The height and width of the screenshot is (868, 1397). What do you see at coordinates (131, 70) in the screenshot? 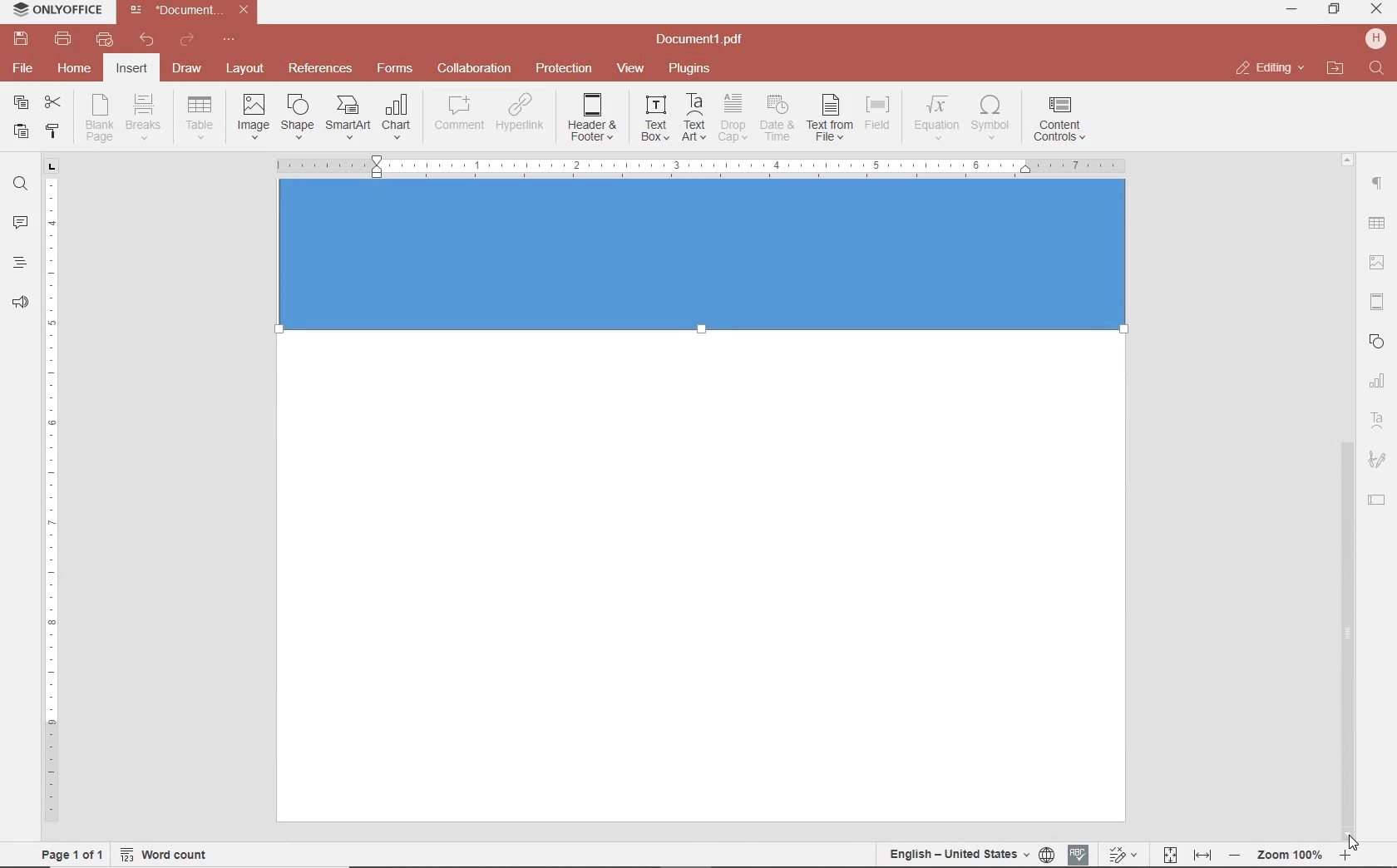
I see `insert` at bounding box center [131, 70].